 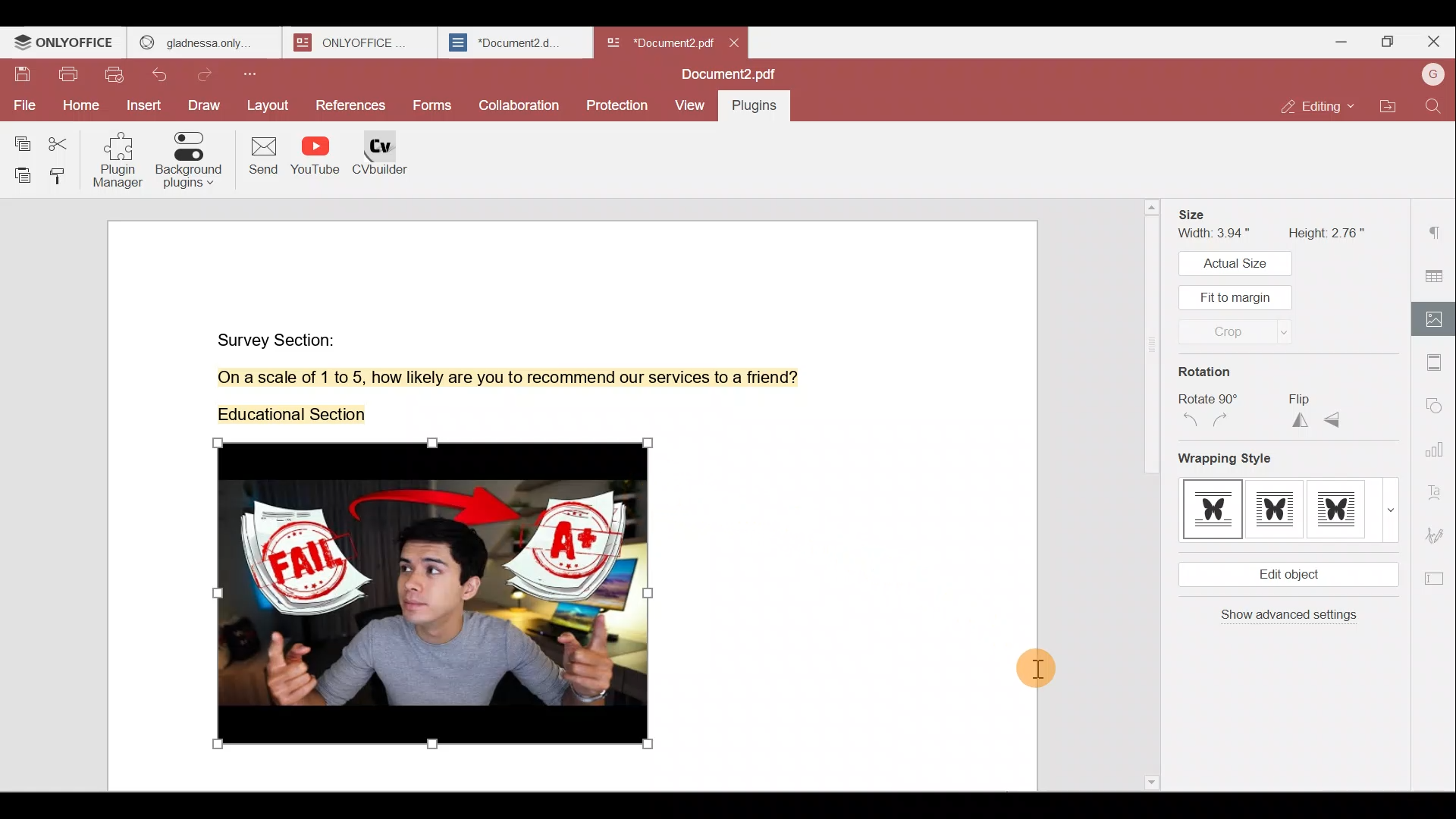 I want to click on References, so click(x=352, y=107).